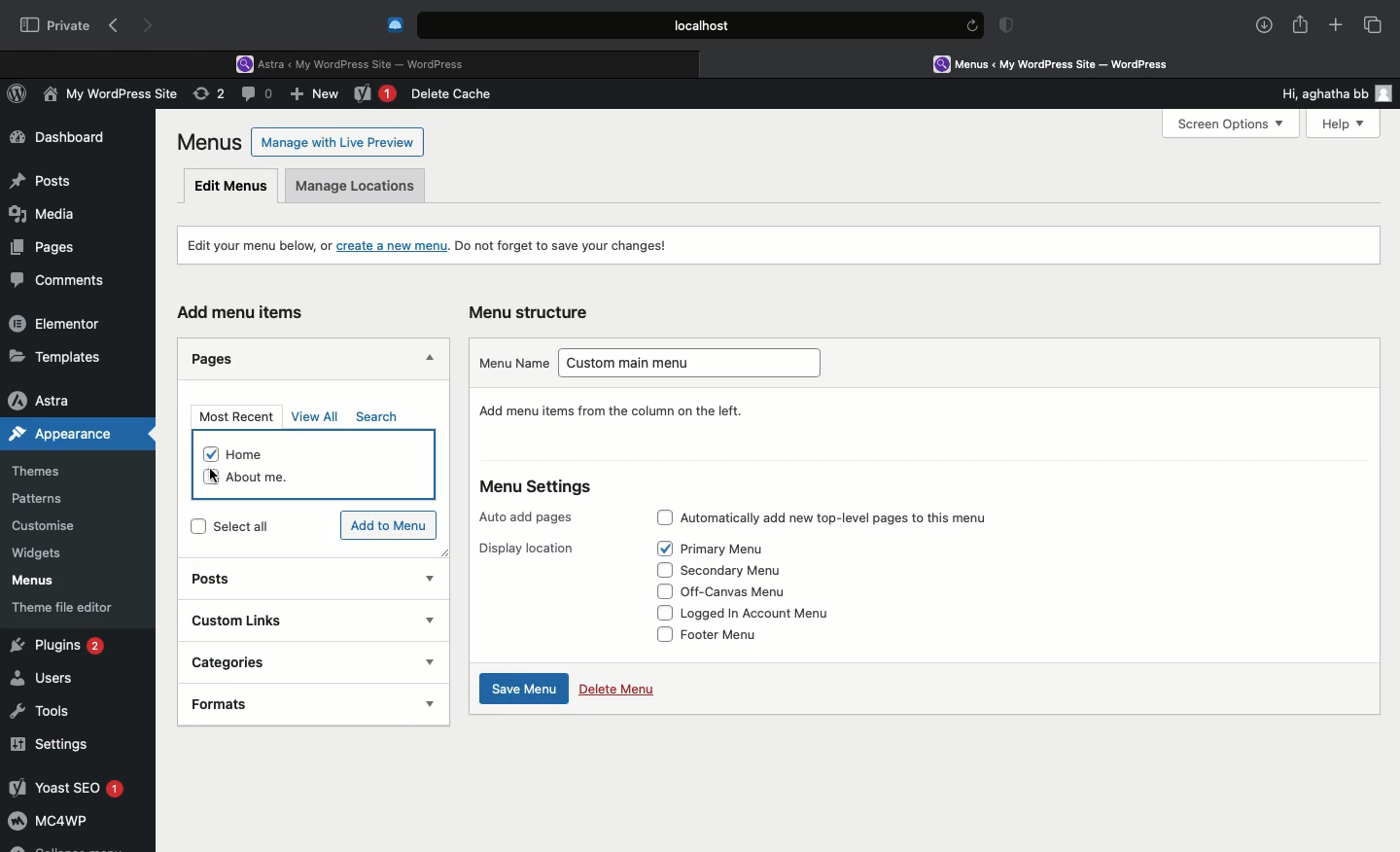 The width and height of the screenshot is (1400, 852). I want to click on Menu name, so click(512, 362).